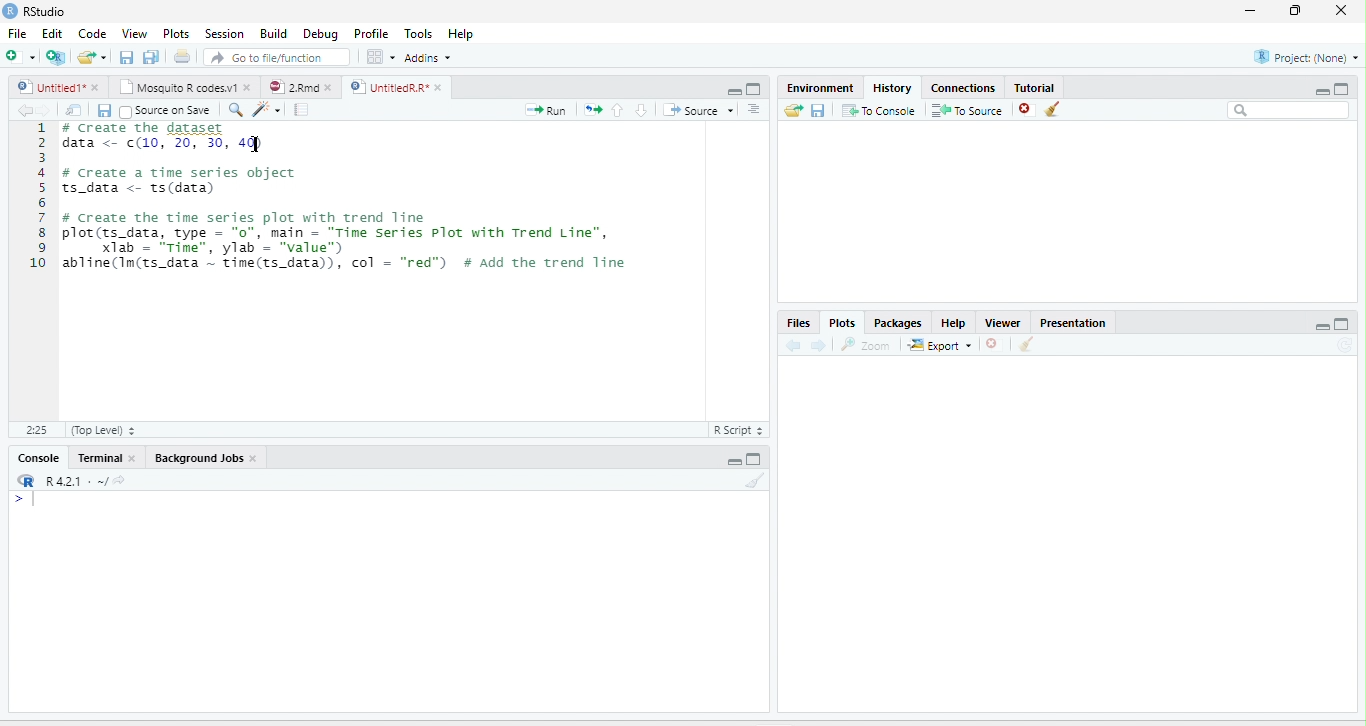 This screenshot has width=1366, height=726. I want to click on Environment, so click(822, 87).